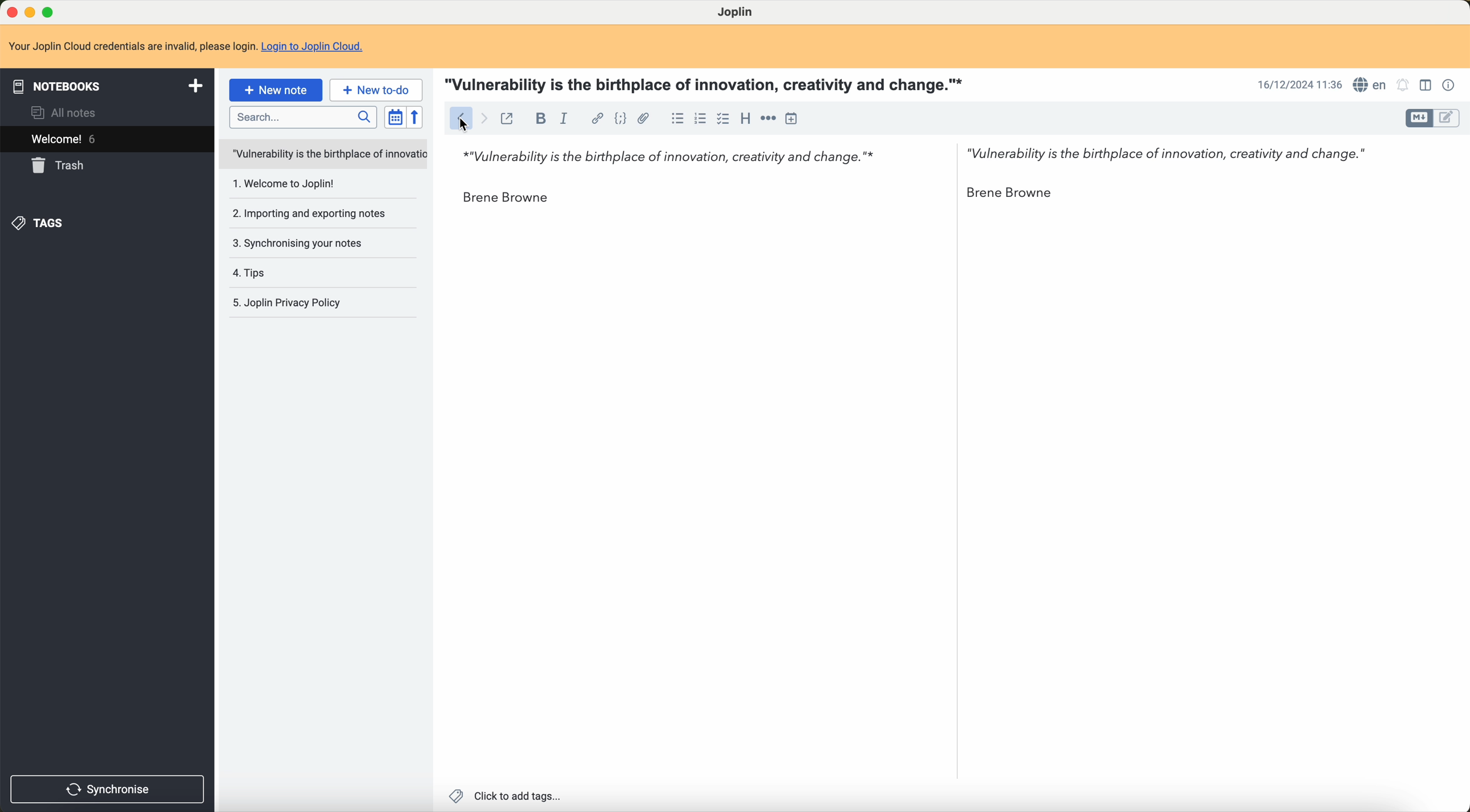 The width and height of the screenshot is (1470, 812). Describe the element at coordinates (662, 152) in the screenshot. I see `"Vulnerability is the birthplace of innovation, creativity and change."*` at that location.